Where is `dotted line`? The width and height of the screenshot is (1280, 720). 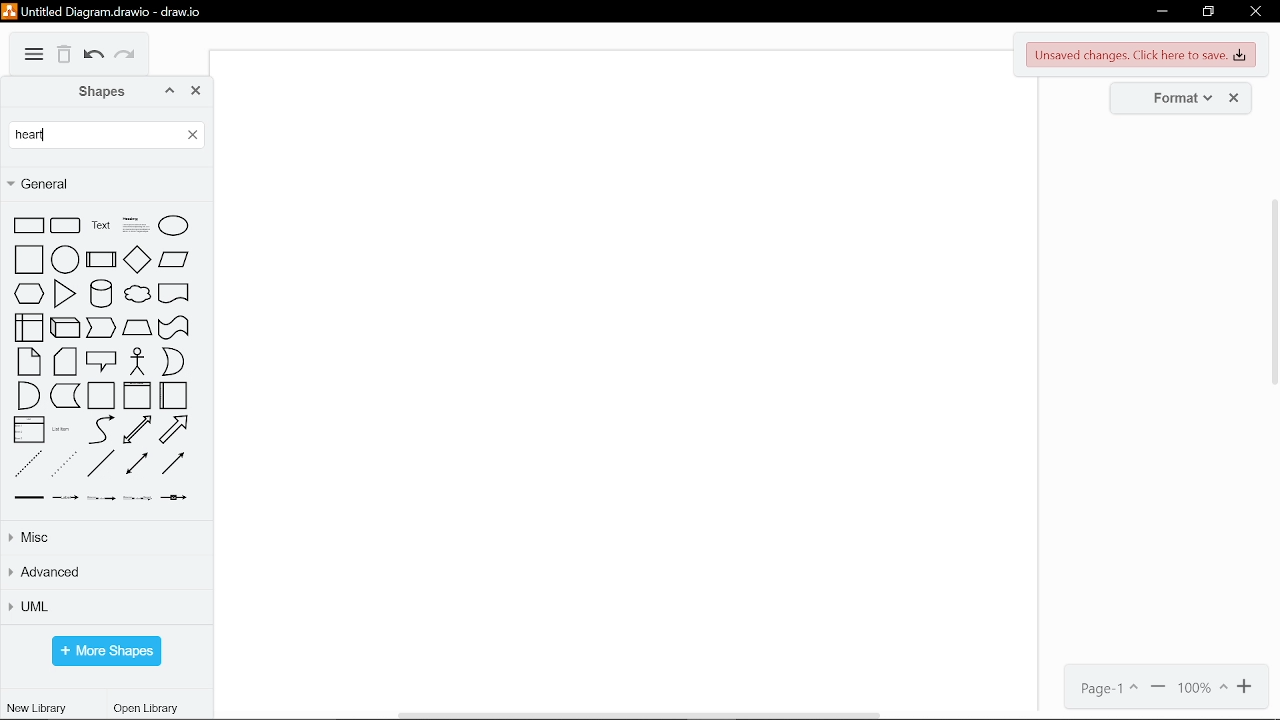
dotted line is located at coordinates (64, 464).